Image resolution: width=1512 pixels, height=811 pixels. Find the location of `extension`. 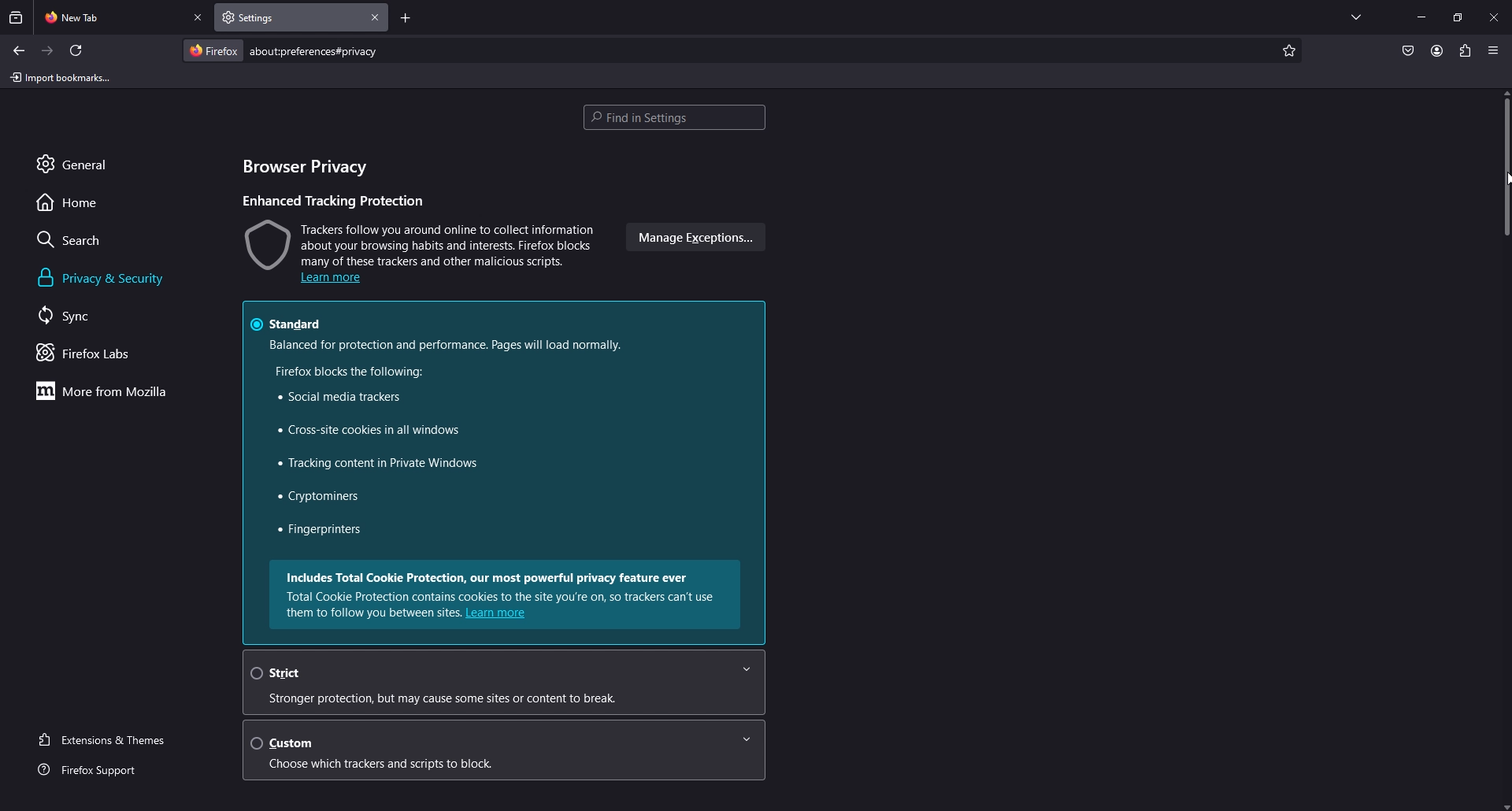

extension is located at coordinates (1466, 50).